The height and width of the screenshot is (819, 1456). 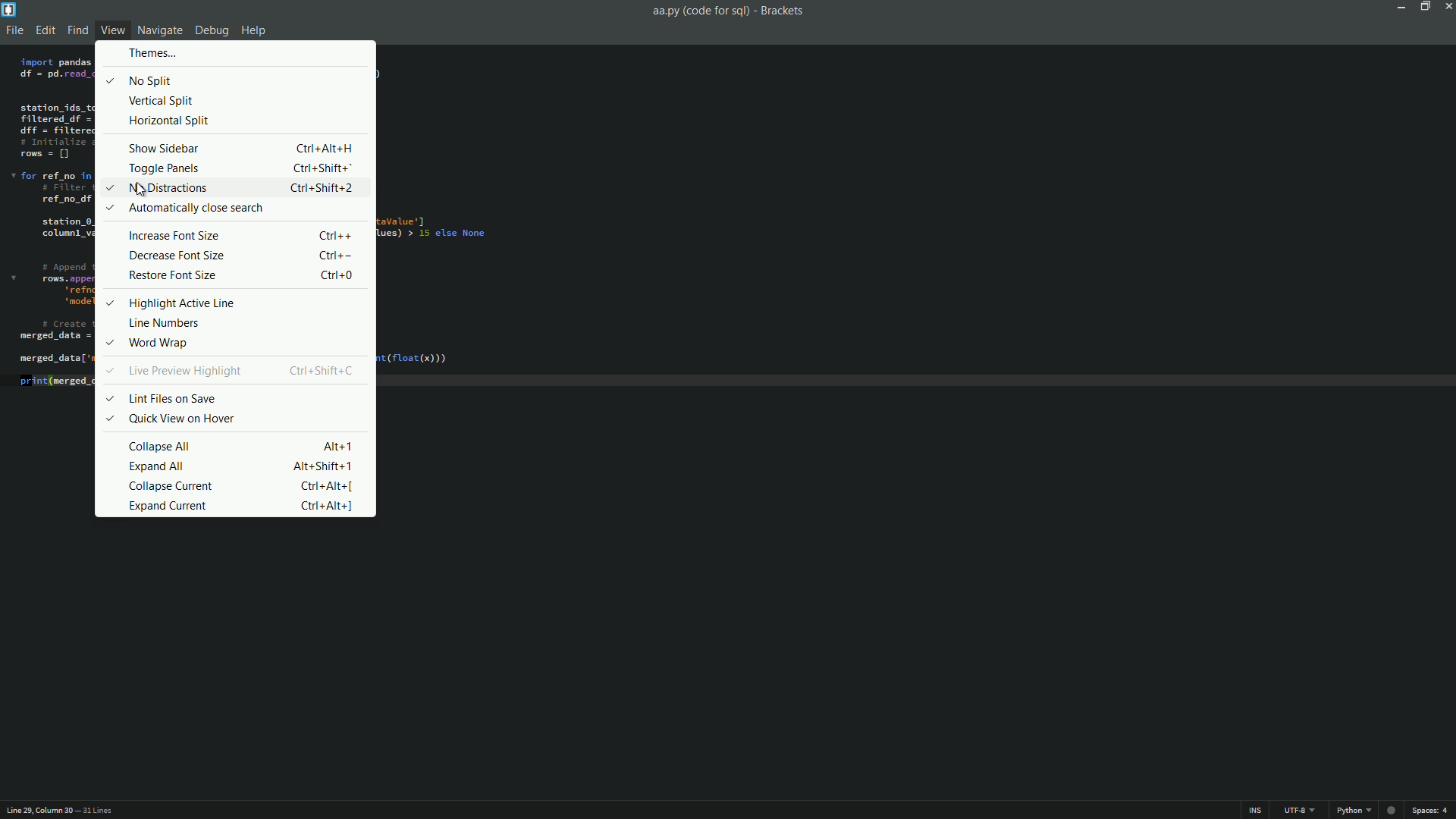 I want to click on Quick view on hover, so click(x=172, y=418).